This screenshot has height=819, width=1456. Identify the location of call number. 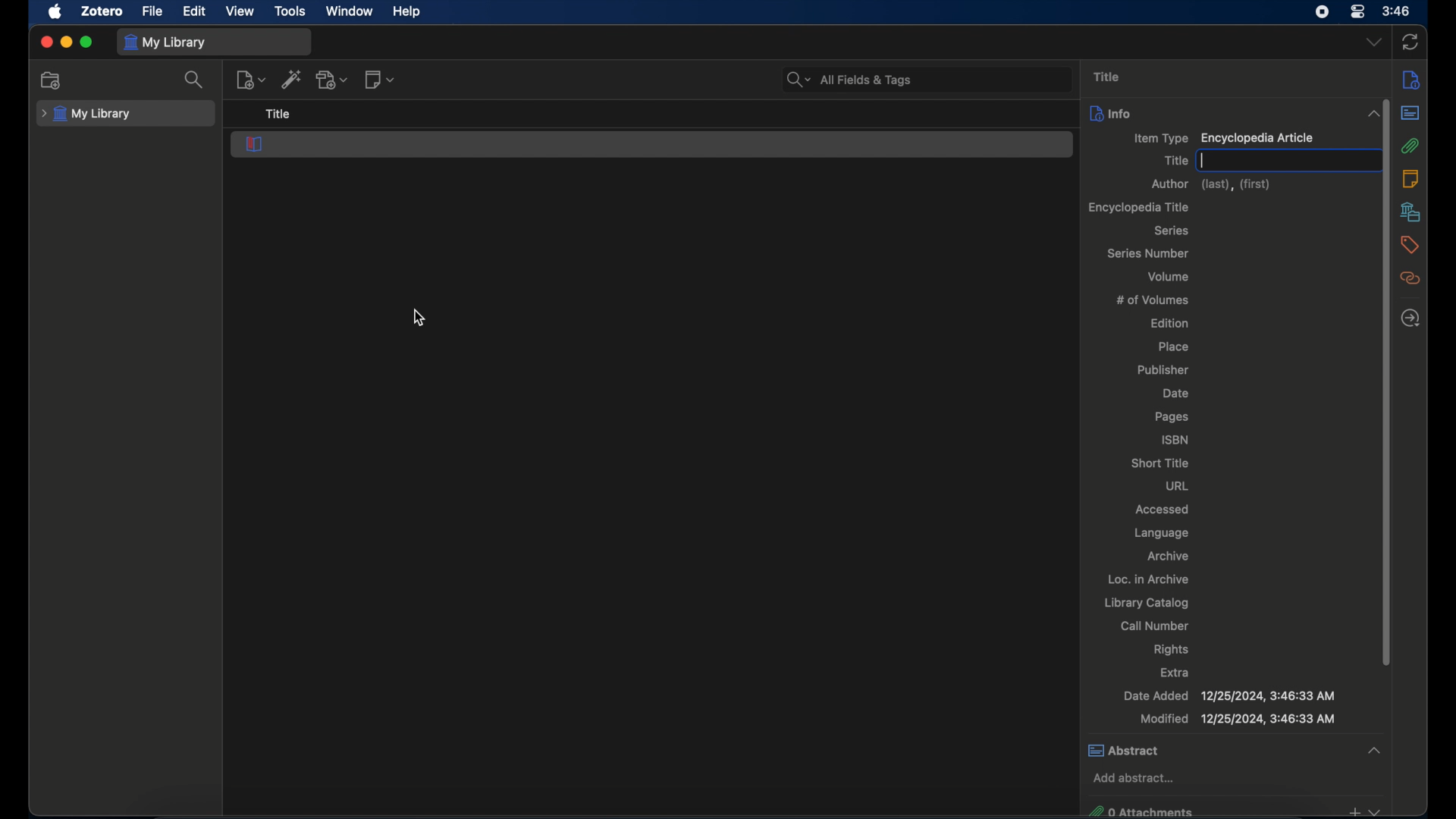
(1156, 626).